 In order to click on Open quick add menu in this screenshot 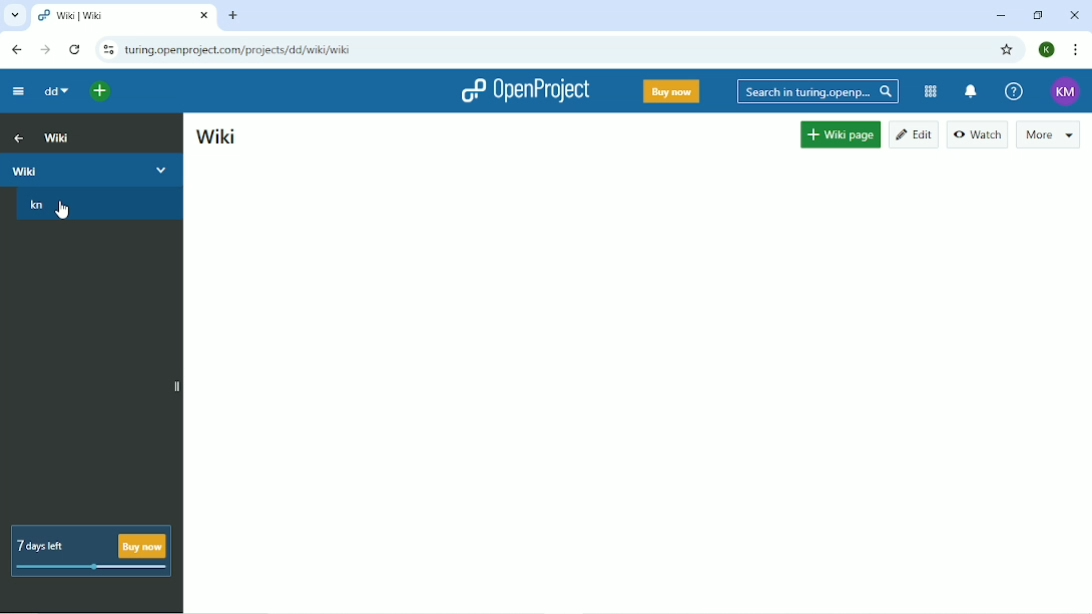, I will do `click(95, 94)`.